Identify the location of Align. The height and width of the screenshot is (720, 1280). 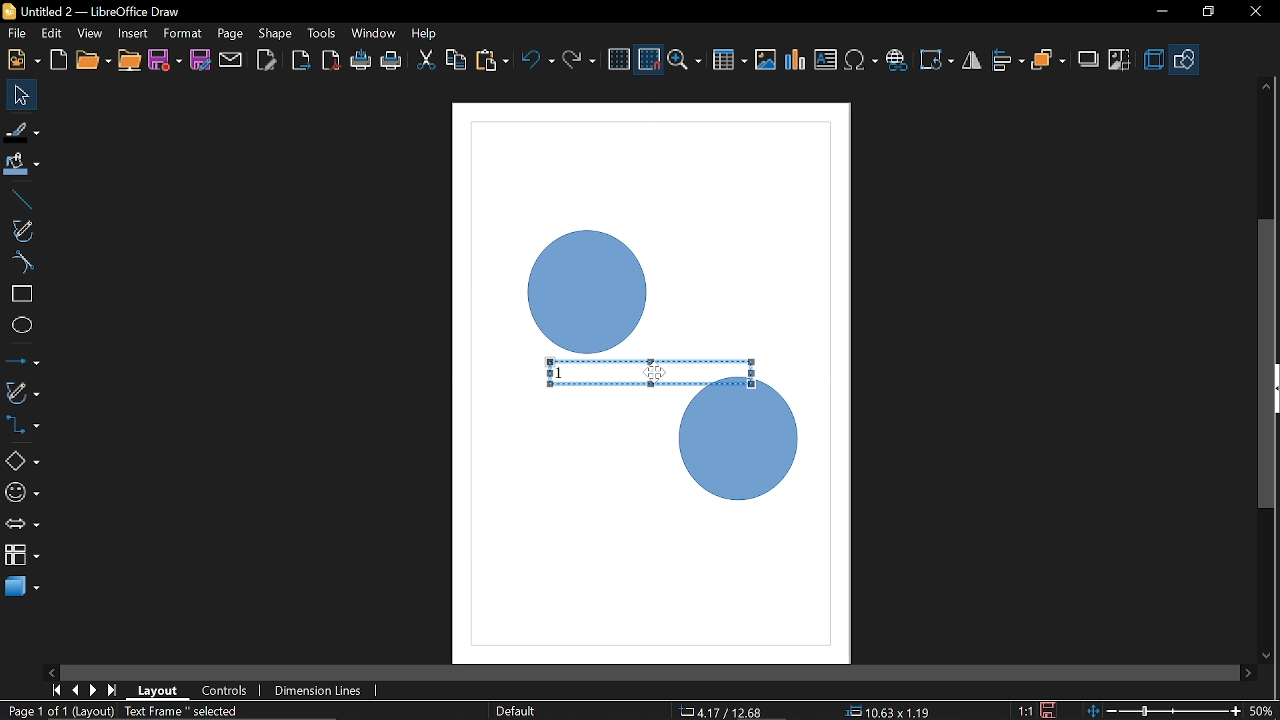
(1009, 61).